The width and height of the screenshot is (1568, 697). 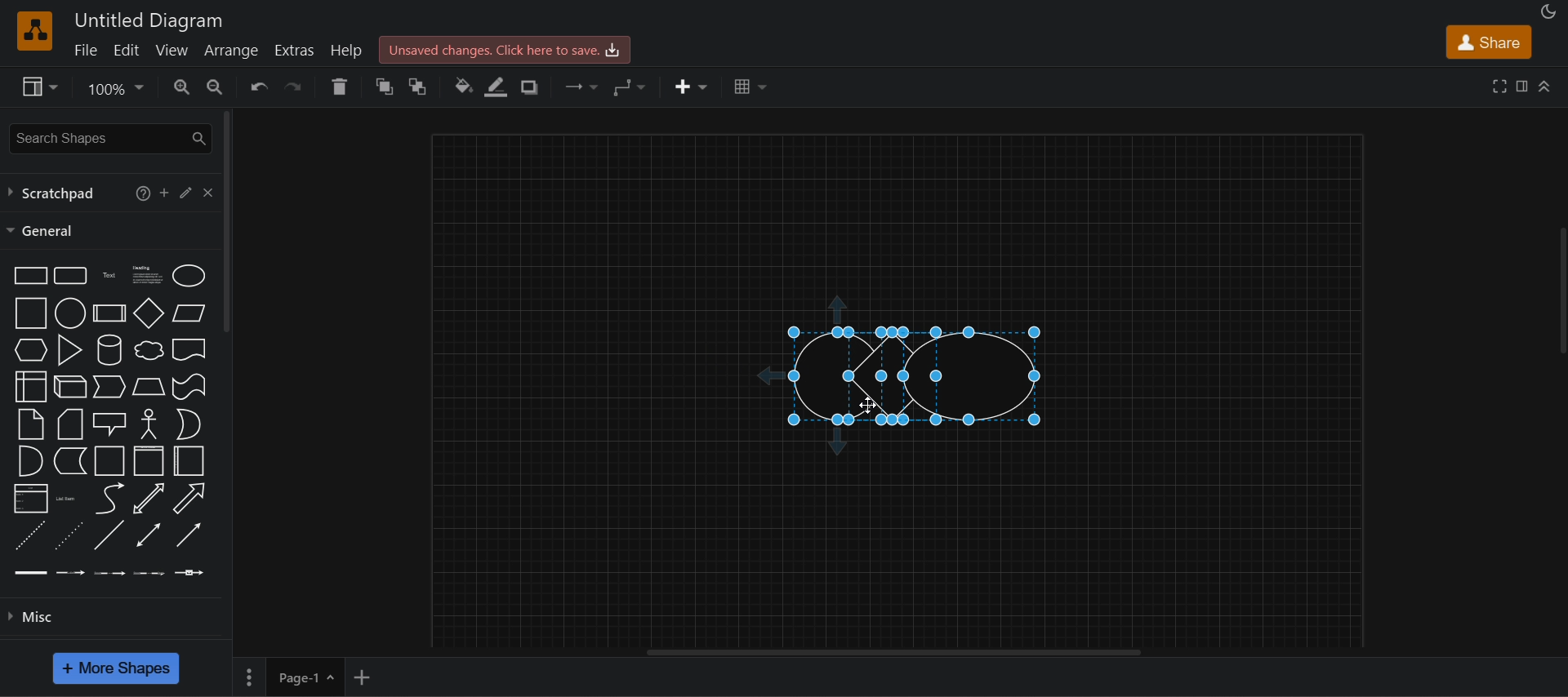 What do you see at coordinates (188, 424) in the screenshot?
I see `or` at bounding box center [188, 424].